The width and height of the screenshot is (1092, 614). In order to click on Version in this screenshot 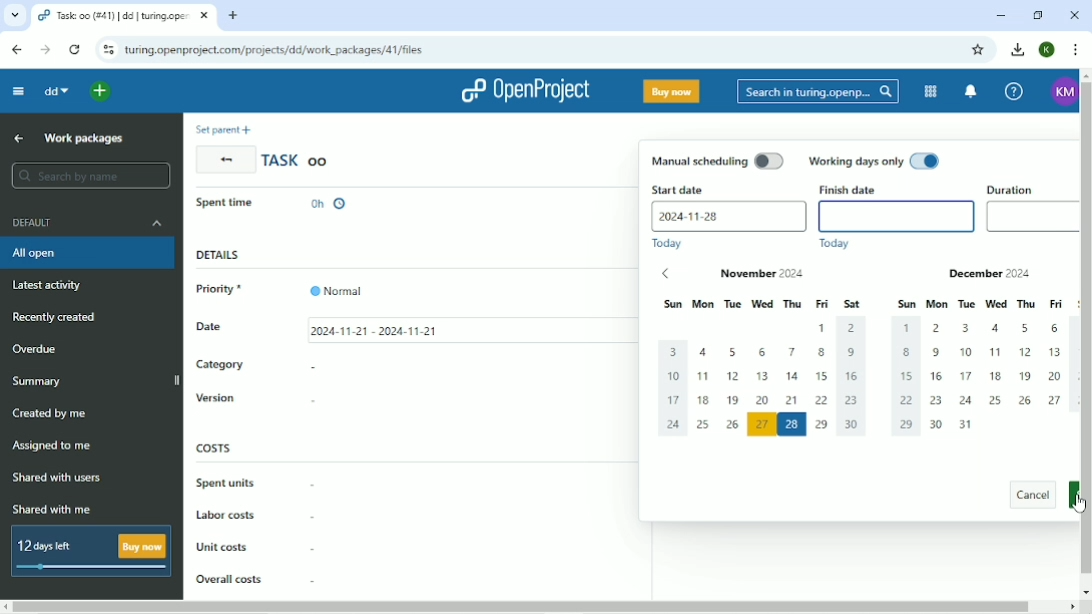, I will do `click(215, 398)`.